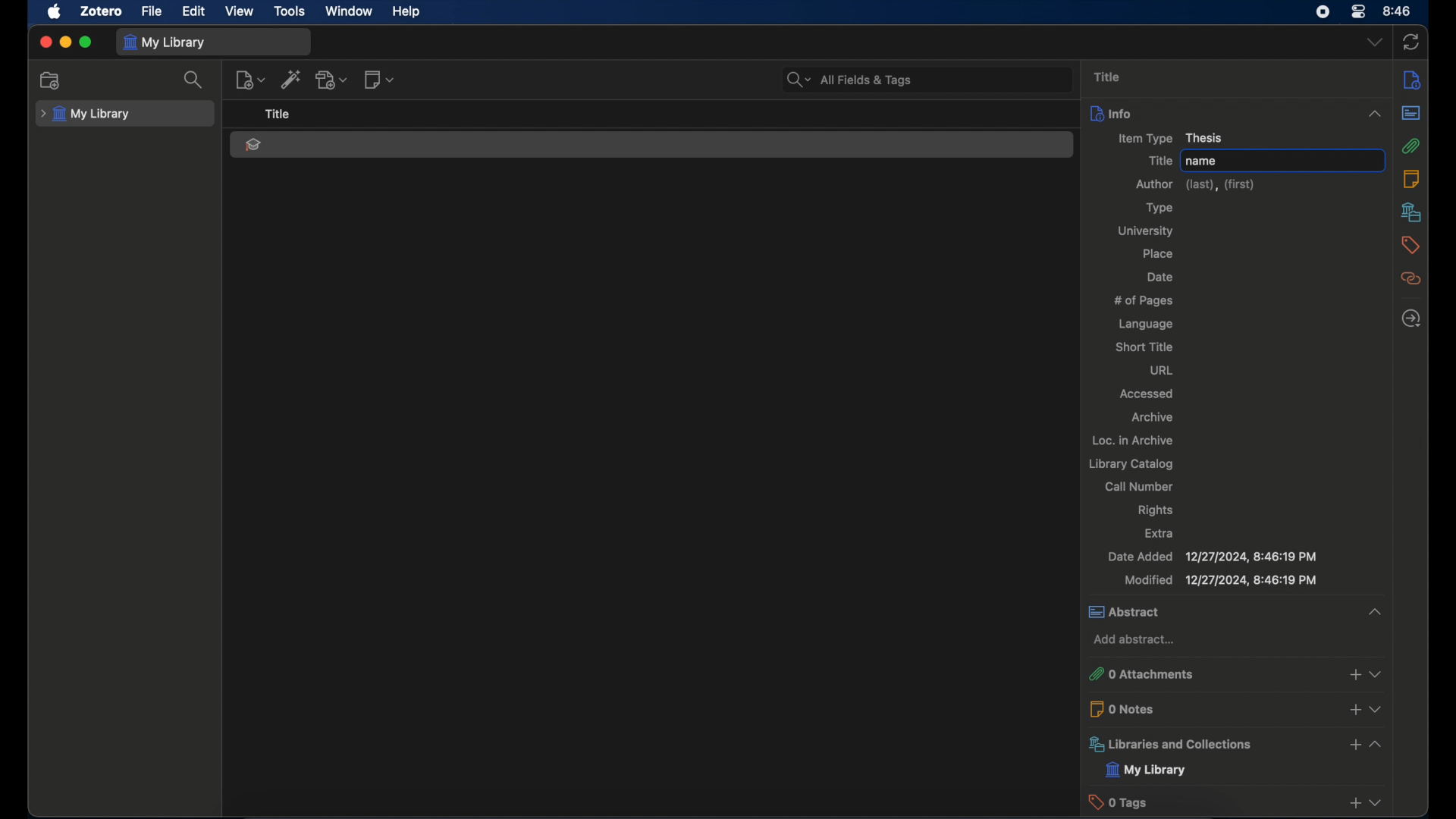 The height and width of the screenshot is (819, 1456). What do you see at coordinates (1210, 708) in the screenshot?
I see `0 notes` at bounding box center [1210, 708].